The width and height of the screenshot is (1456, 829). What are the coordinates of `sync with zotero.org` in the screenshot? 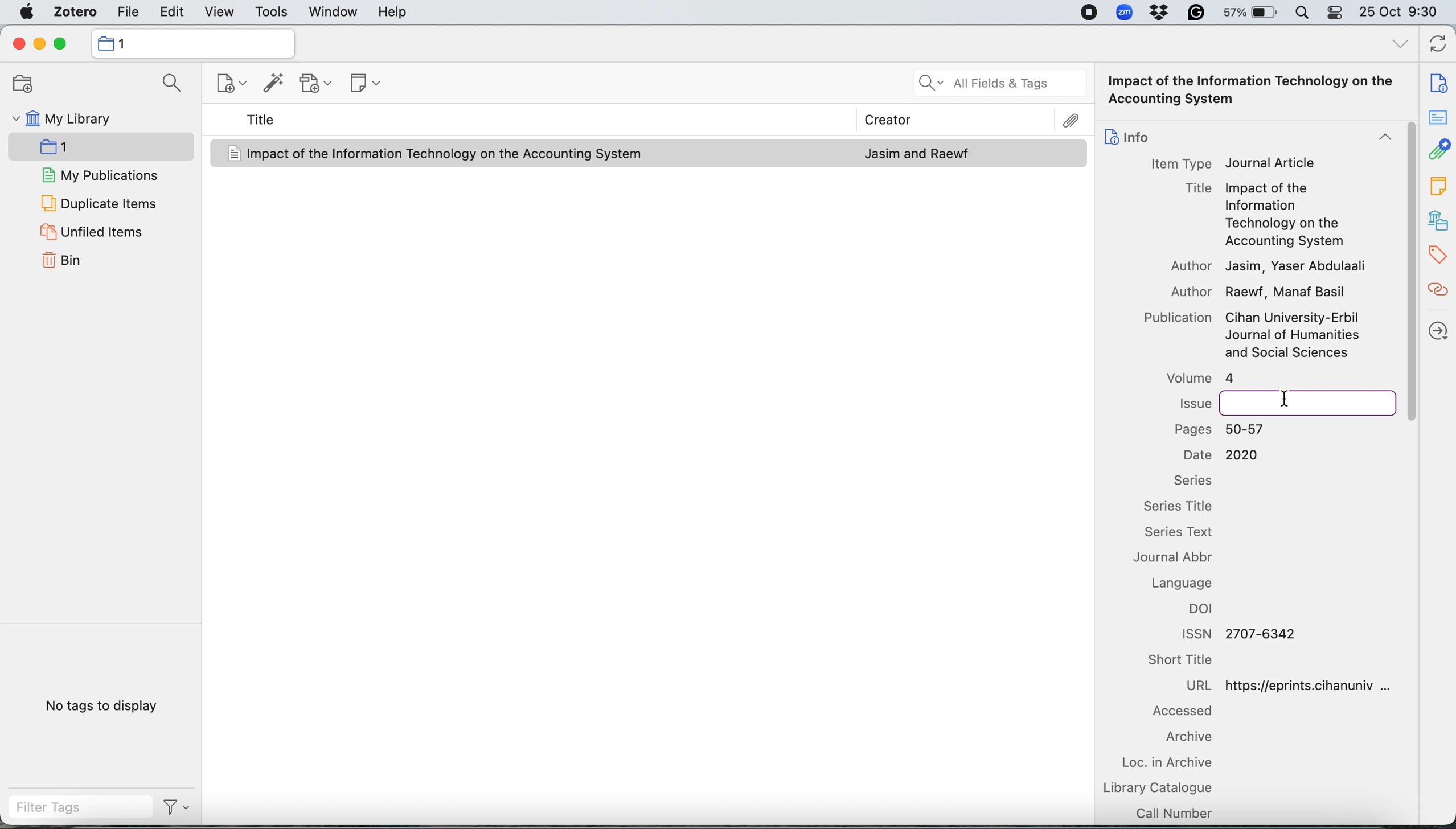 It's located at (1439, 42).